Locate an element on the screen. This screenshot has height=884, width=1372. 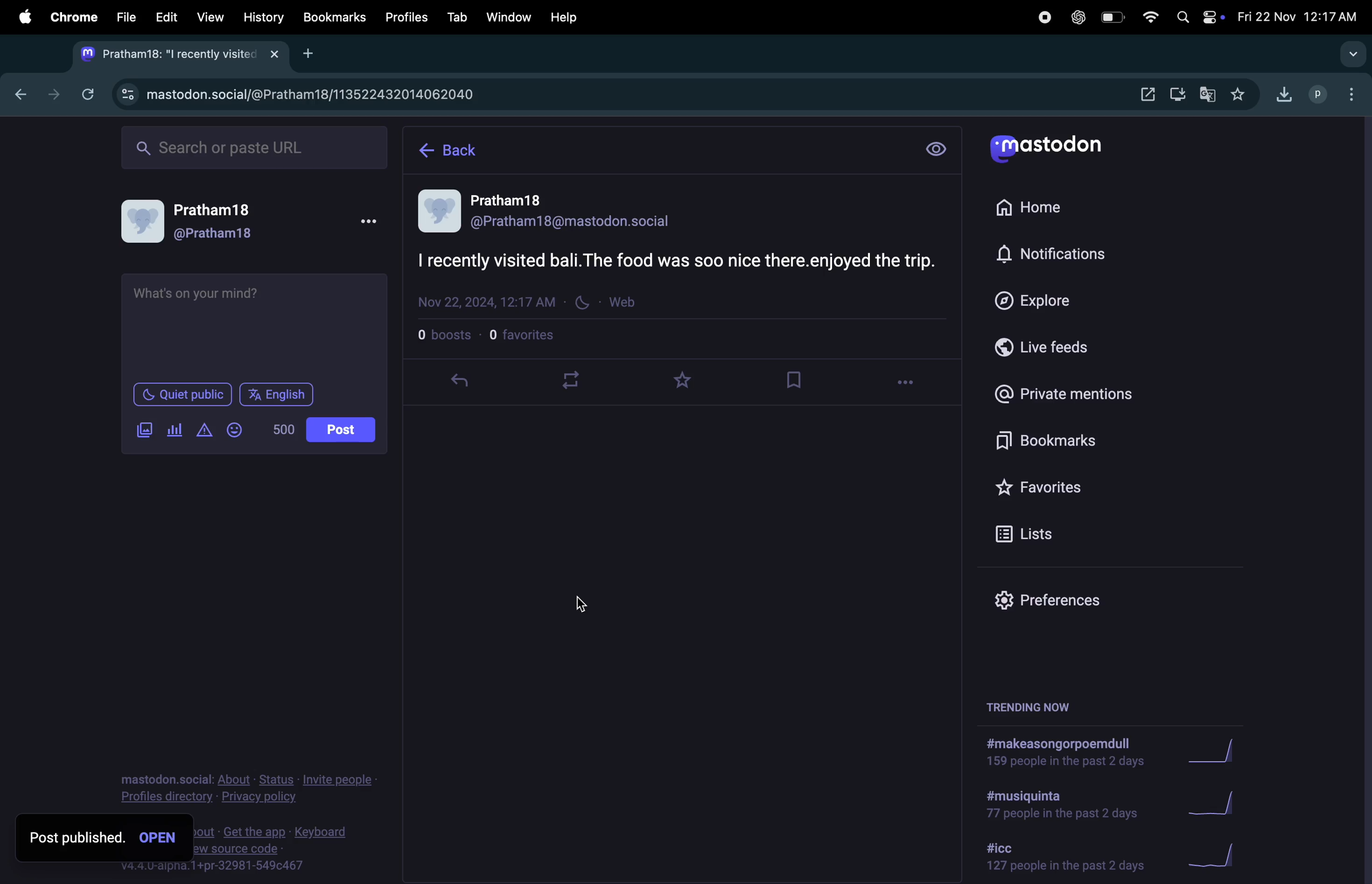
mastodon url is located at coordinates (321, 95).